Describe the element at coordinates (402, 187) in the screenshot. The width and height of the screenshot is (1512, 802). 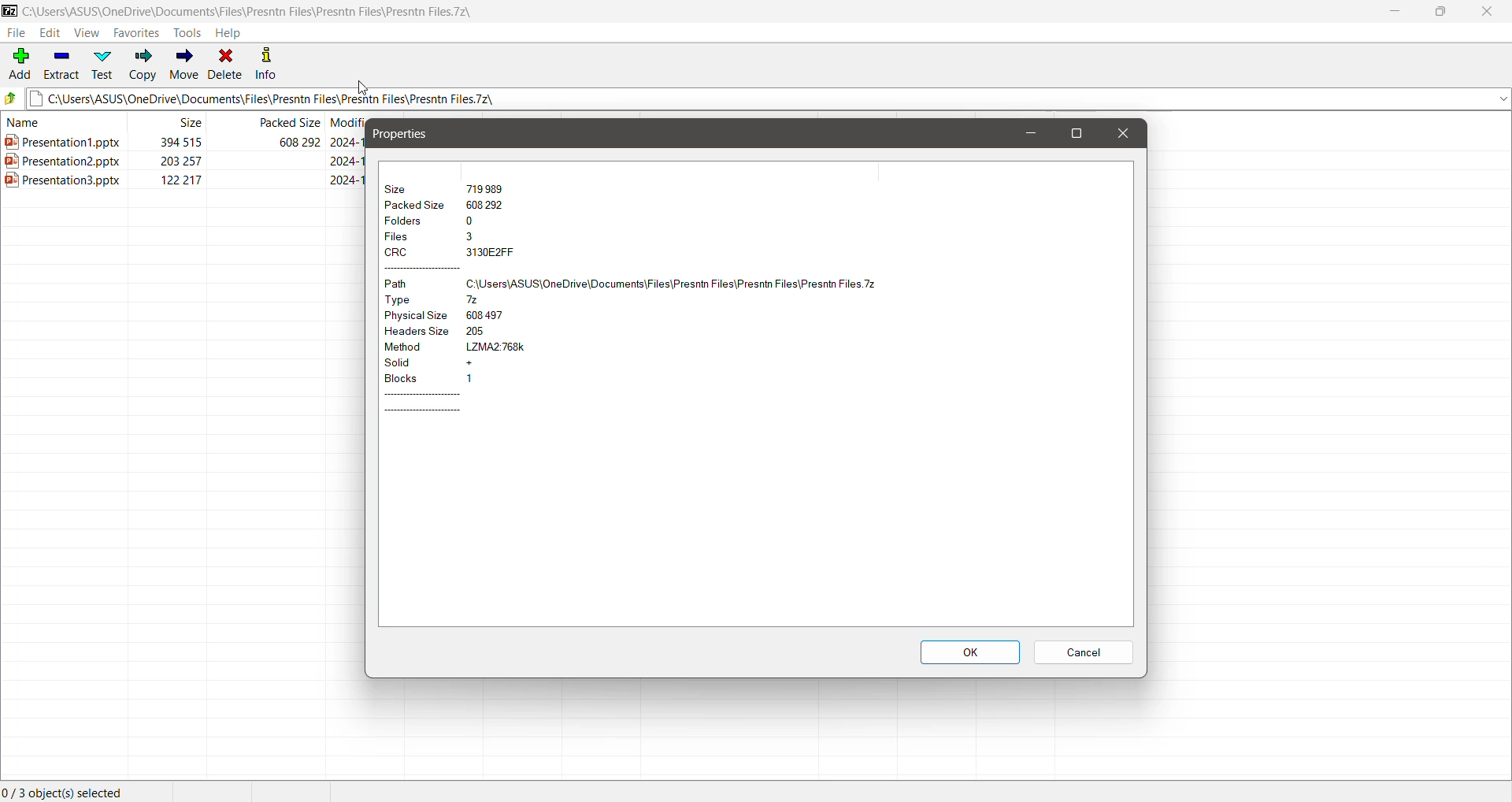
I see `Size` at that location.